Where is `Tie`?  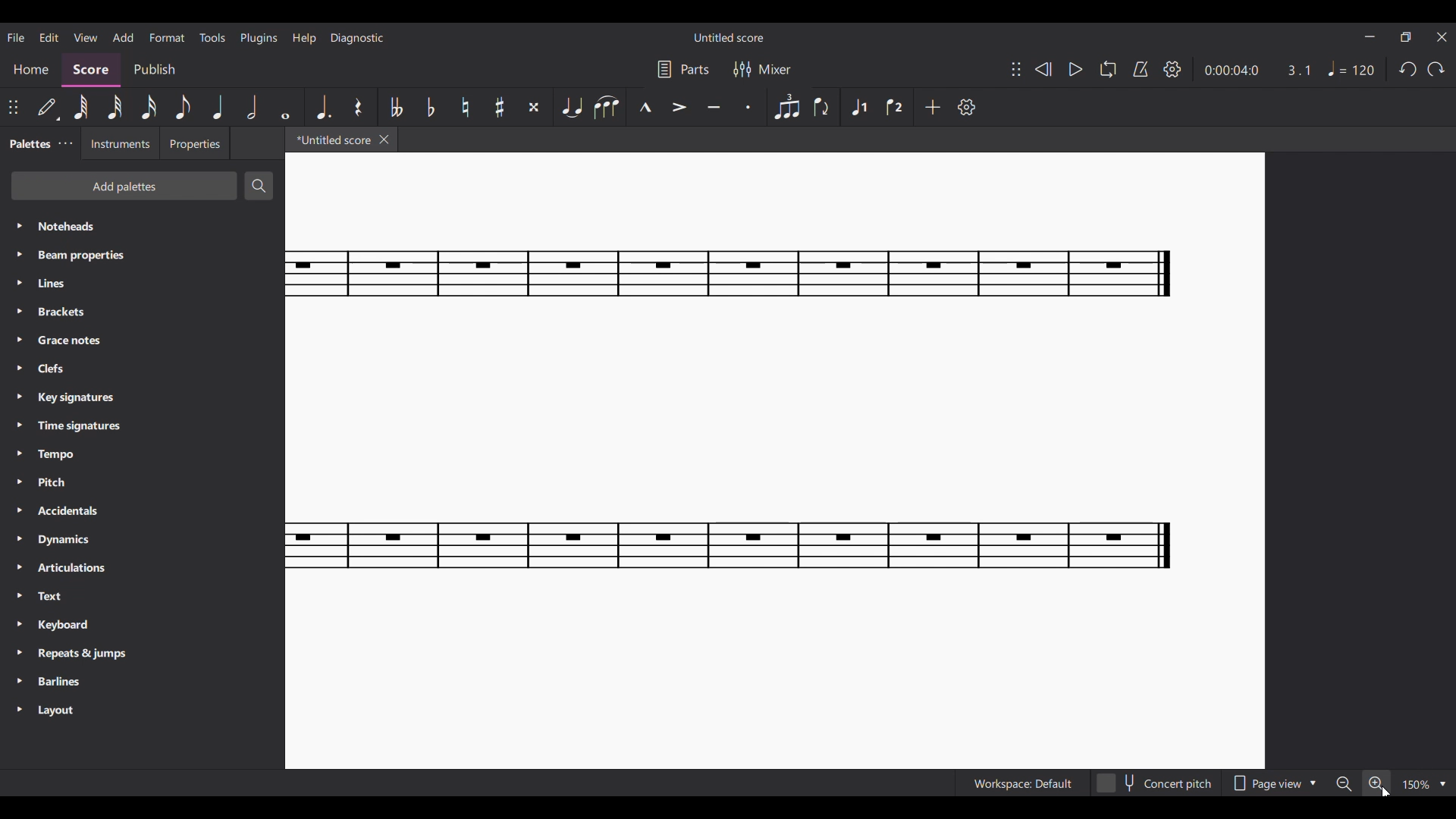
Tie is located at coordinates (571, 107).